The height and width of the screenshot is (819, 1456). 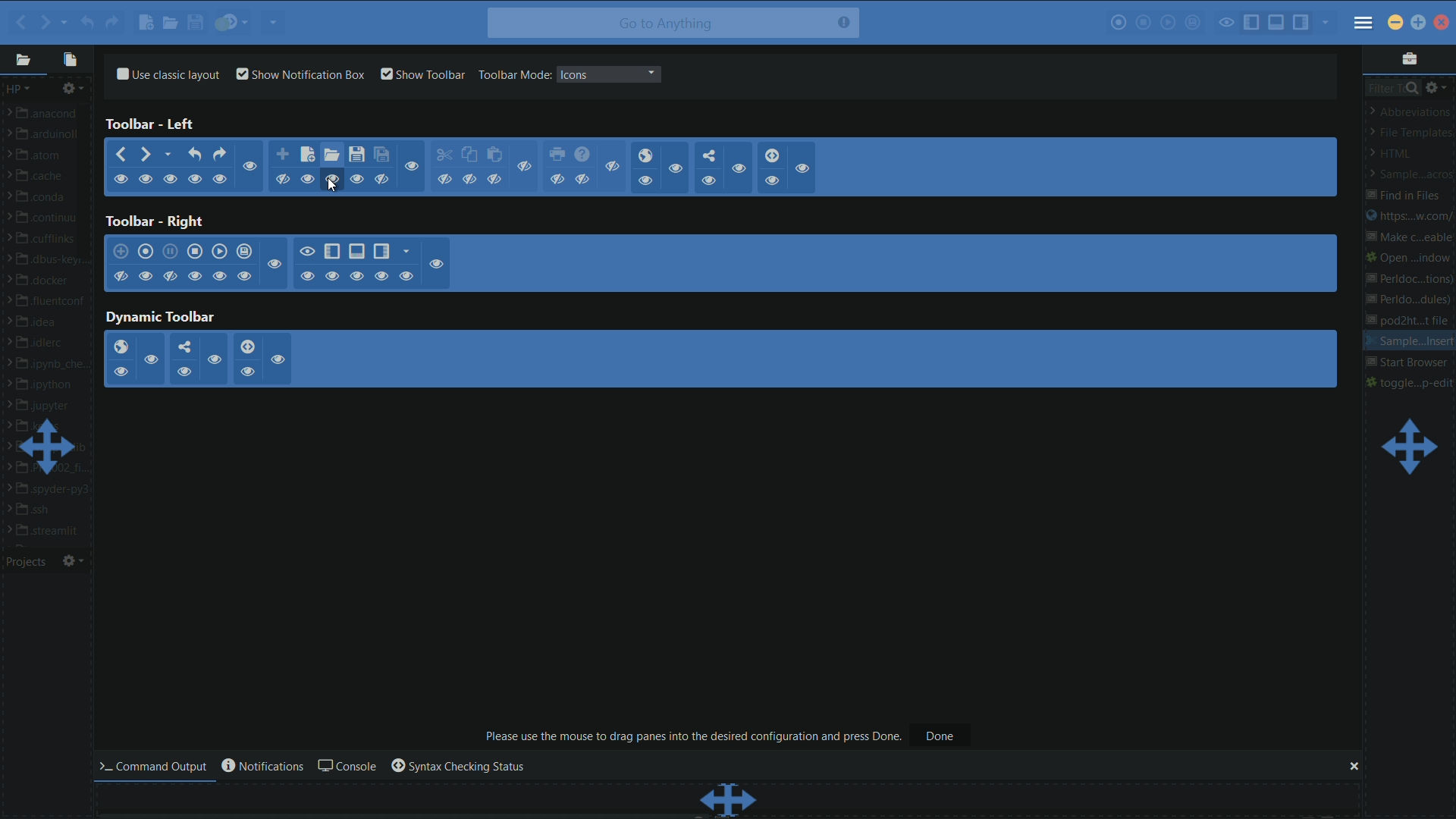 What do you see at coordinates (195, 251) in the screenshot?
I see `stop macro` at bounding box center [195, 251].